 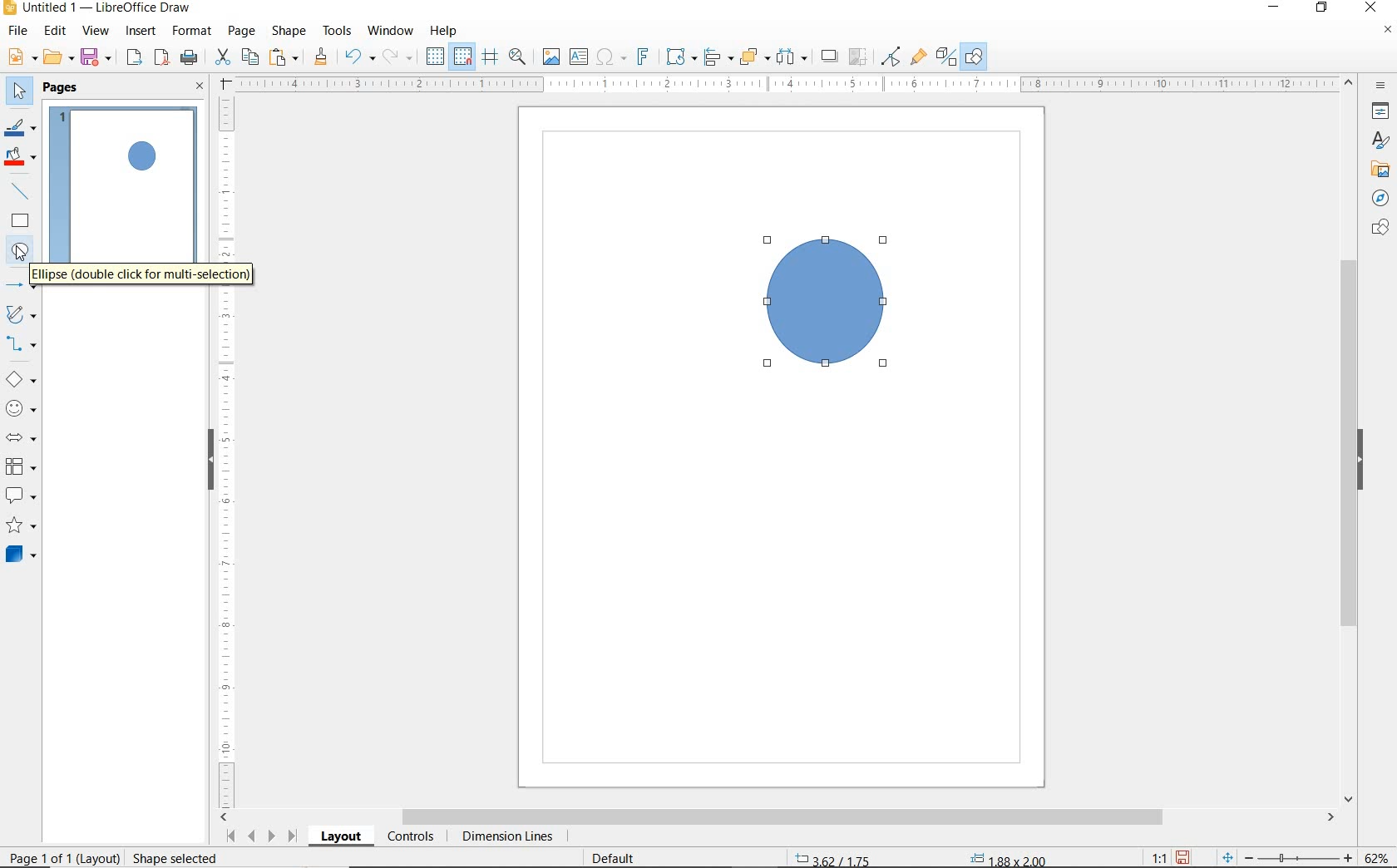 I want to click on WINDOW, so click(x=390, y=31).